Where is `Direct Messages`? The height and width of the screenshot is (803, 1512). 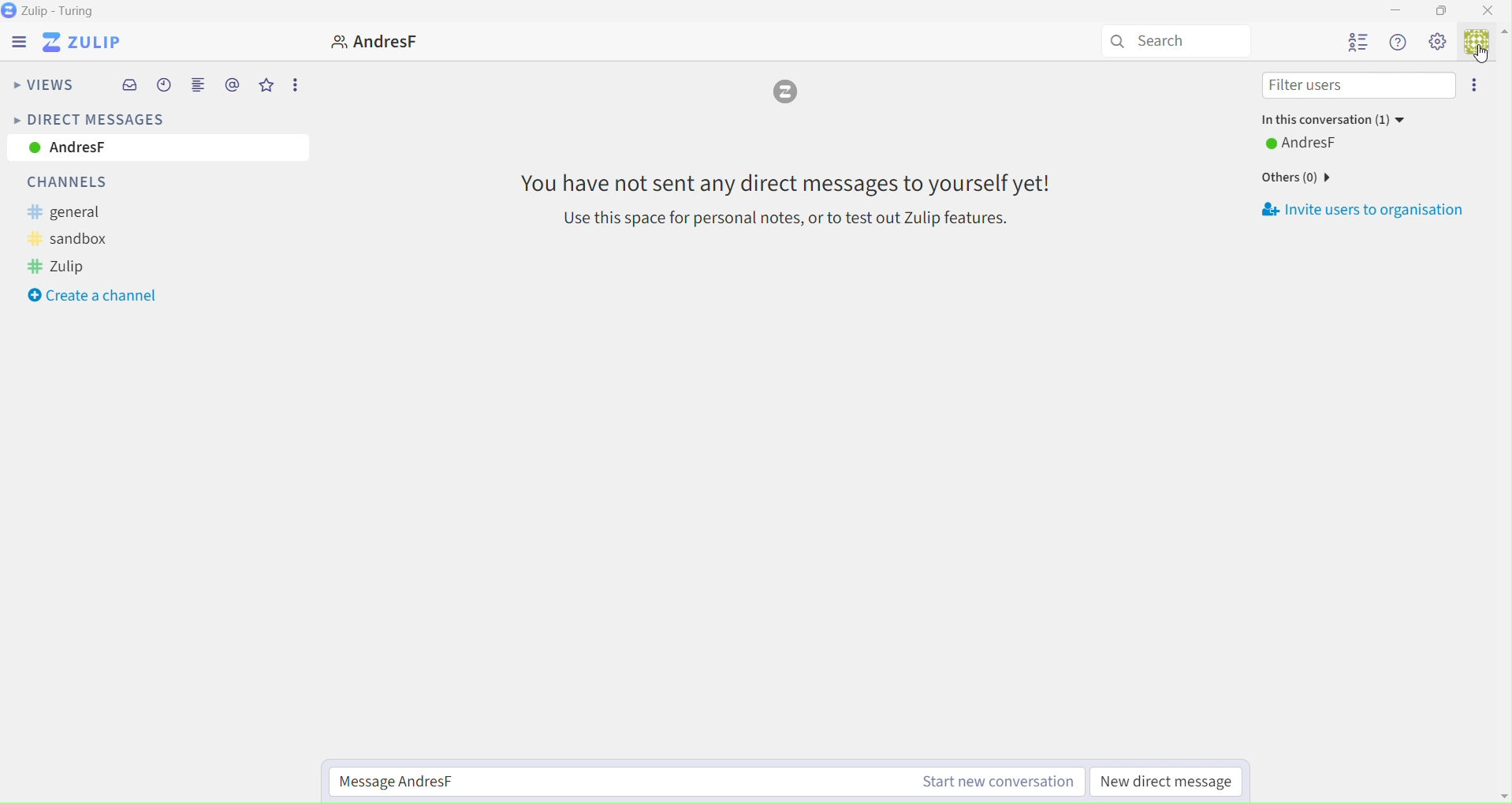 Direct Messages is located at coordinates (88, 118).